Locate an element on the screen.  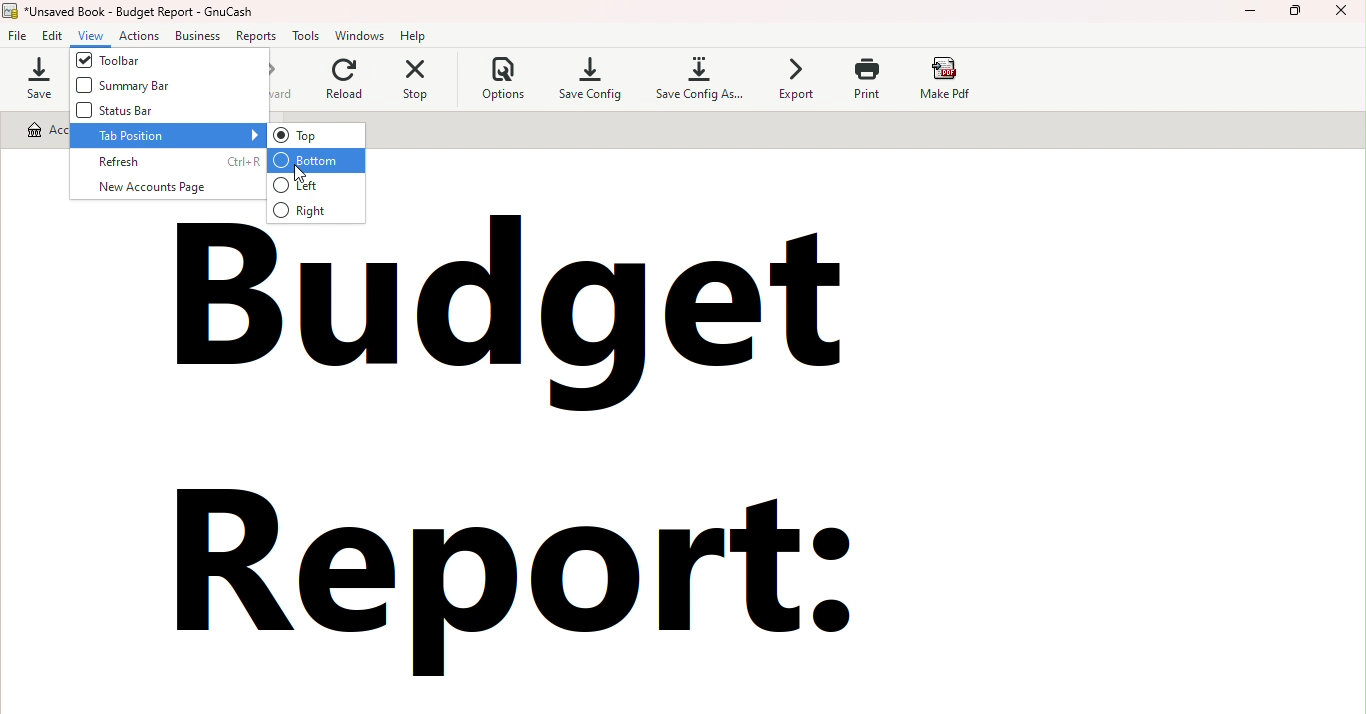
business is located at coordinates (201, 33).